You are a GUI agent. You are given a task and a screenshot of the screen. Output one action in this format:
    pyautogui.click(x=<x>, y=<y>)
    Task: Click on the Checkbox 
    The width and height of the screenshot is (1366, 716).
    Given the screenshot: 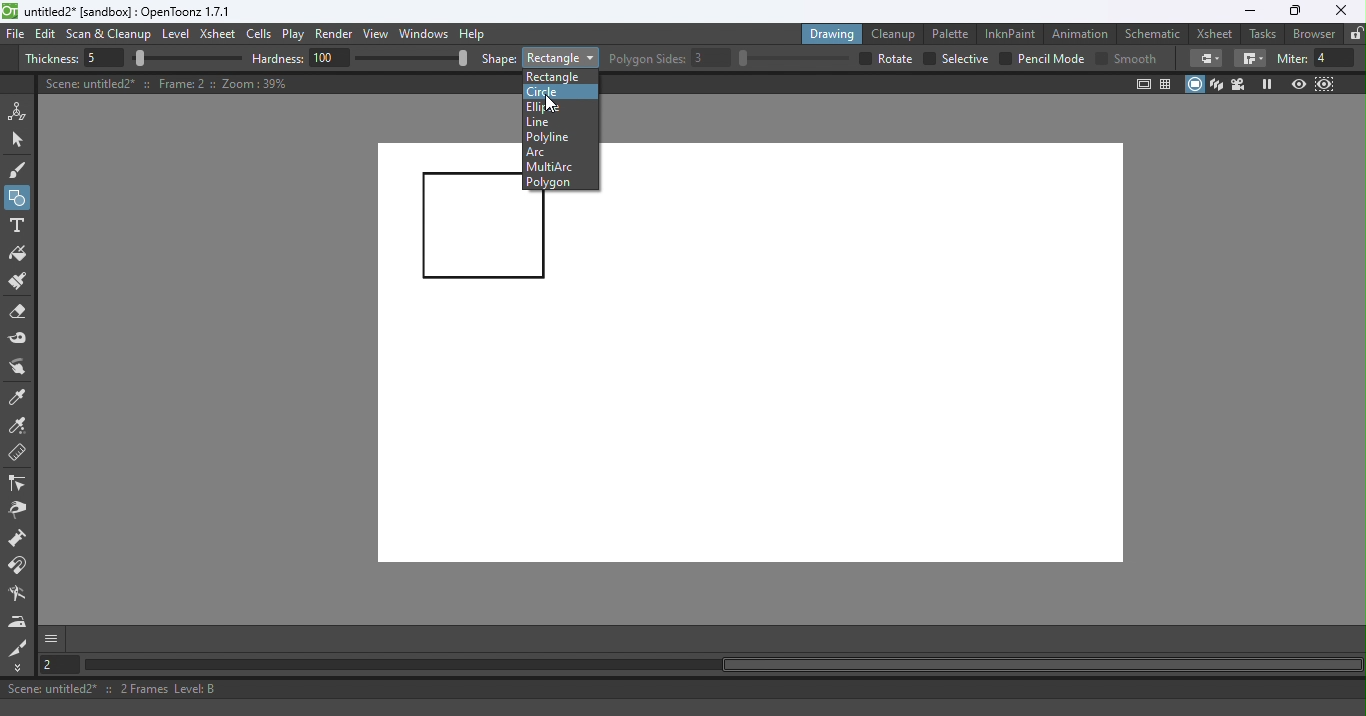 What is the action you would take?
    pyautogui.click(x=1101, y=57)
    